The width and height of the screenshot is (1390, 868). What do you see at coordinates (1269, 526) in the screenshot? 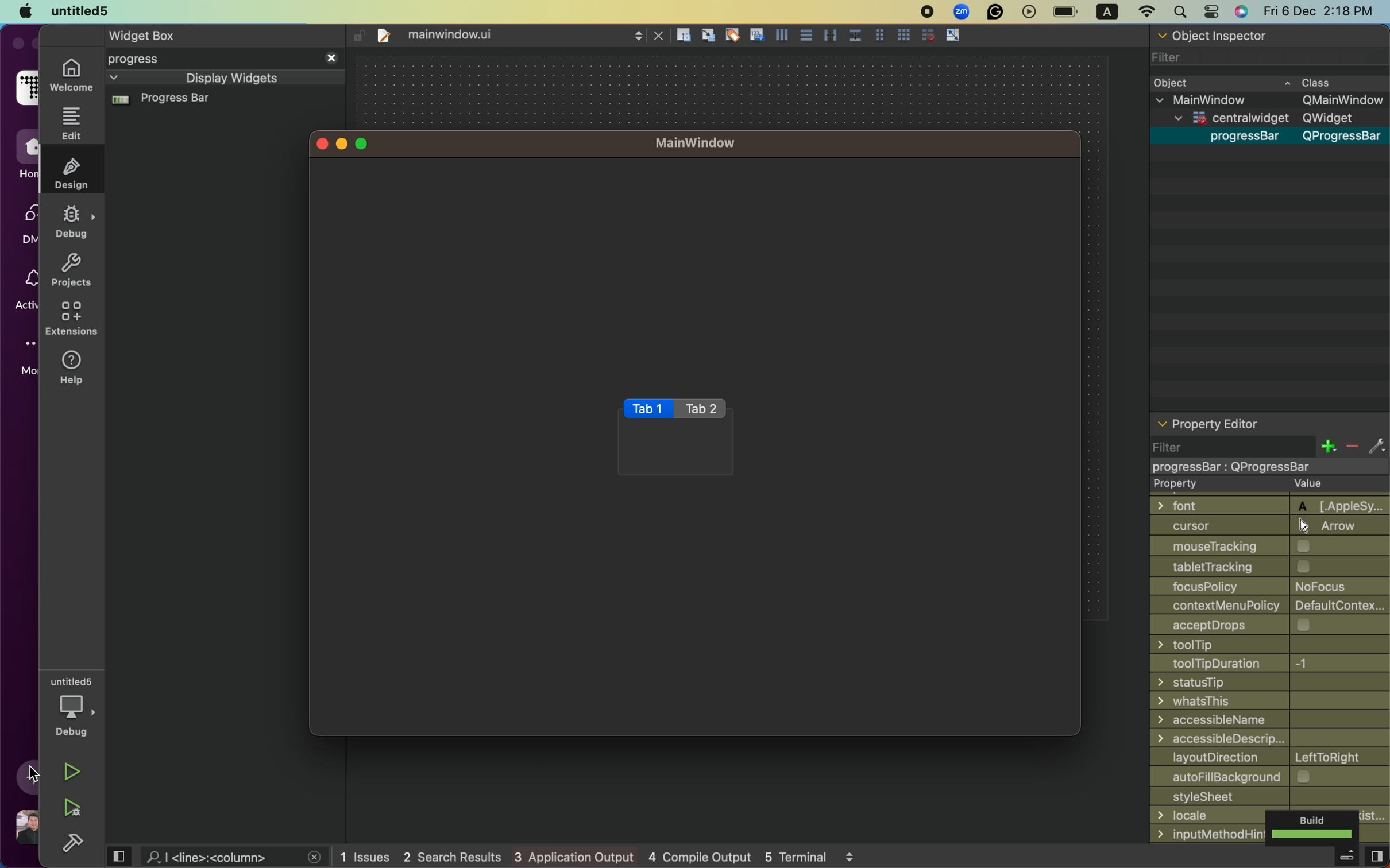
I see `cursor` at bounding box center [1269, 526].